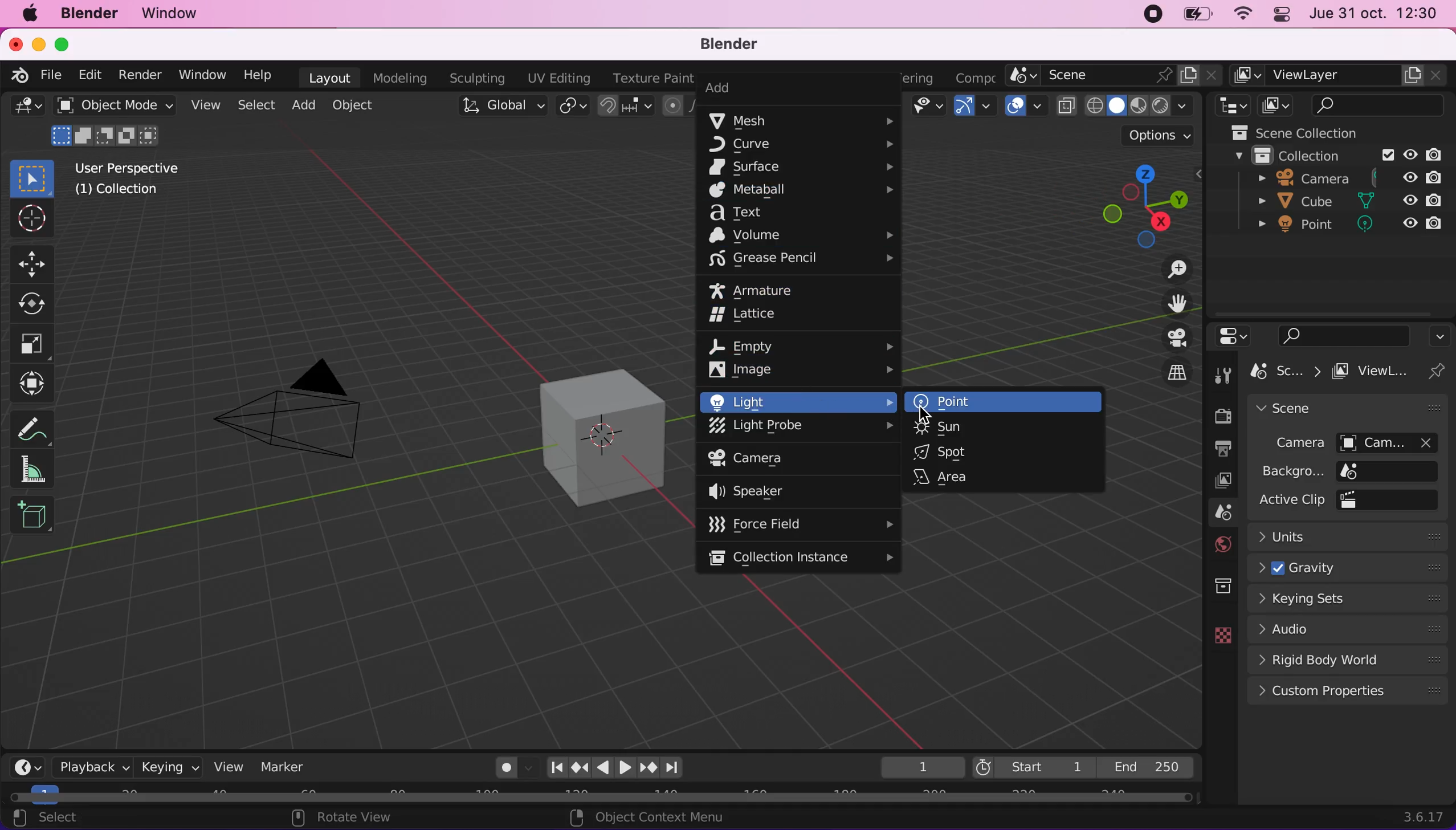 The height and width of the screenshot is (830, 1456). Describe the element at coordinates (578, 768) in the screenshot. I see `Jump to keyframe` at that location.